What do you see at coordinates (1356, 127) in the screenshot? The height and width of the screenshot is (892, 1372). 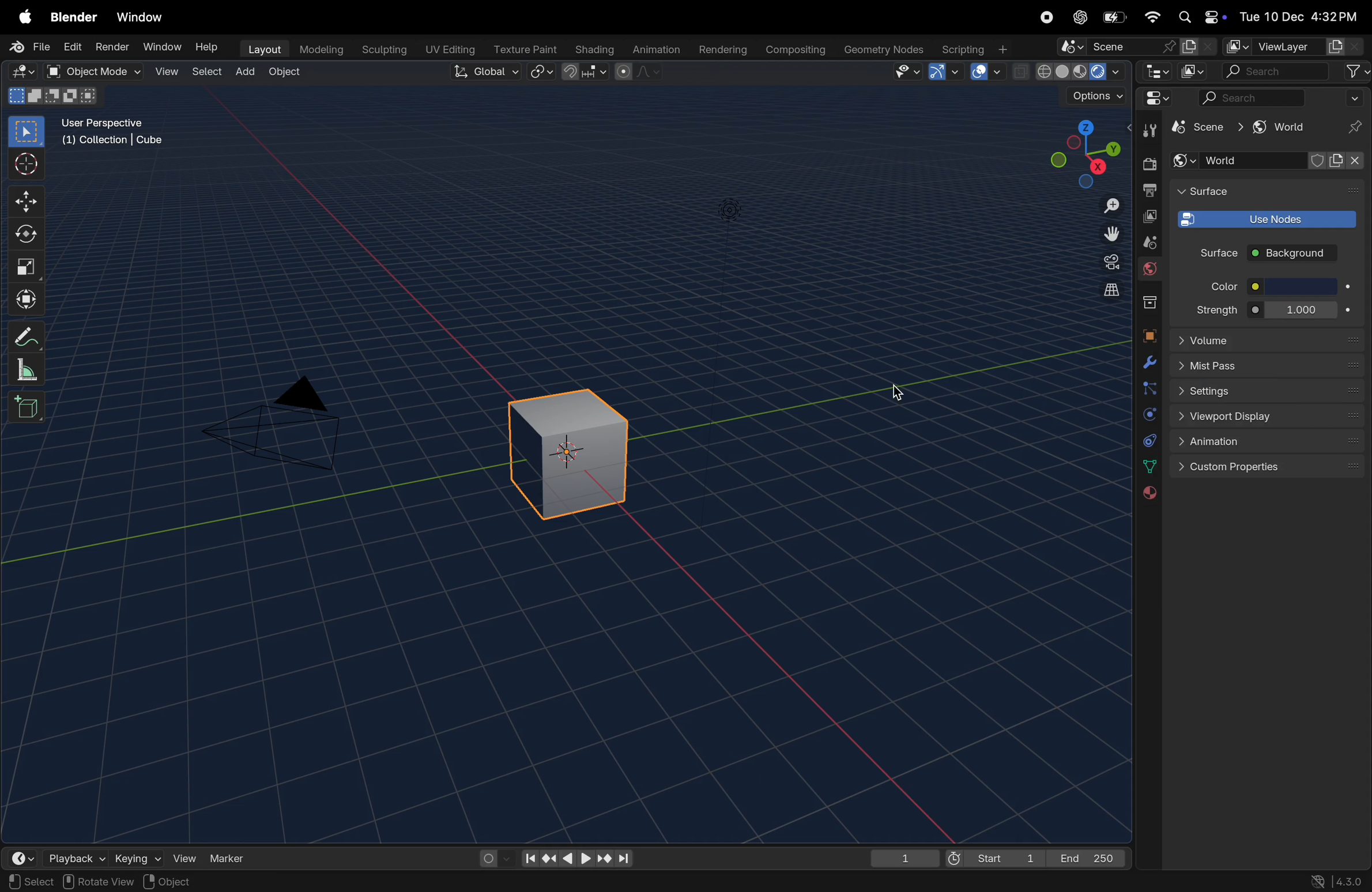 I see `pin` at bounding box center [1356, 127].